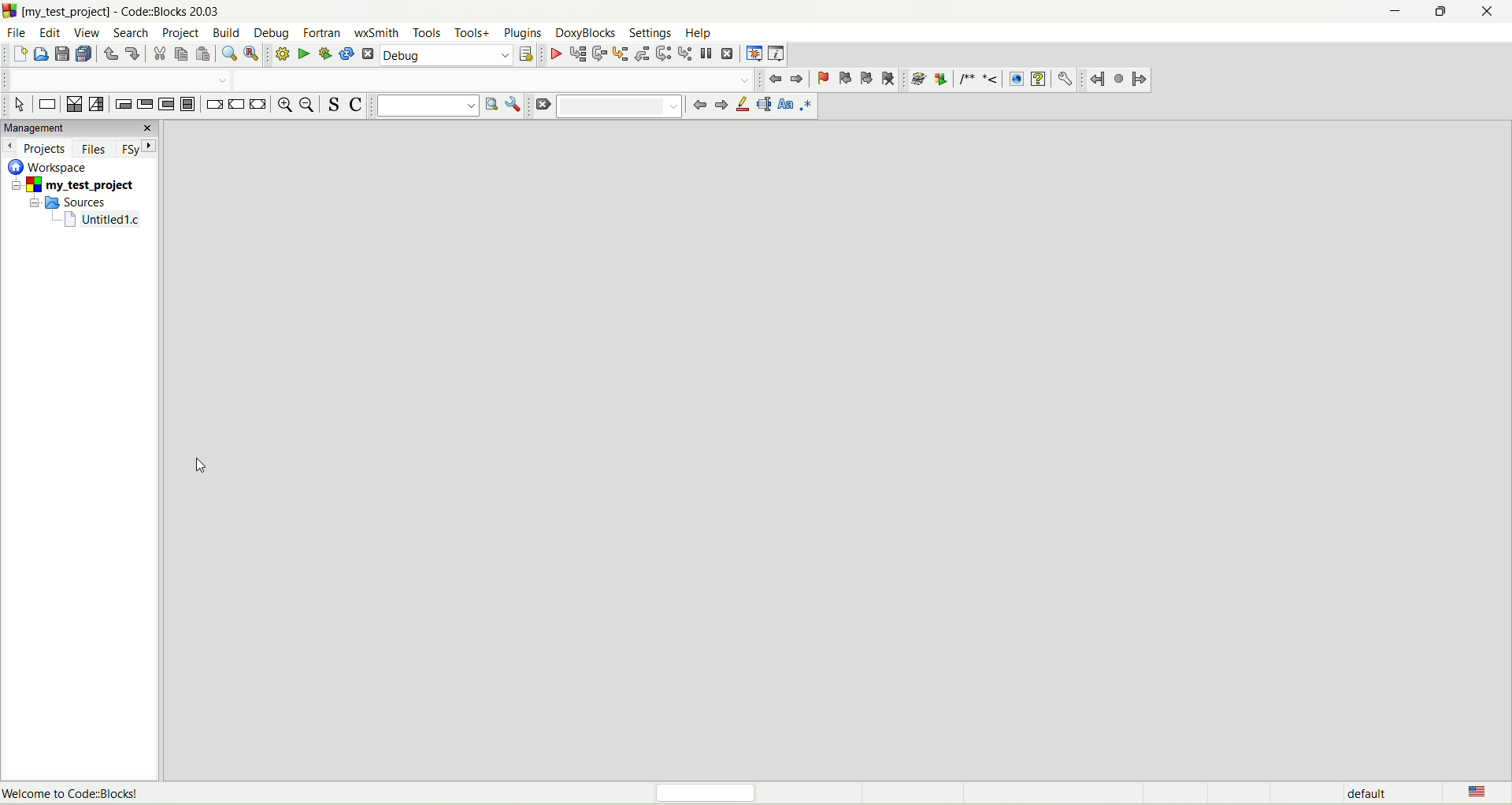 This screenshot has height=805, width=1512. What do you see at coordinates (368, 54) in the screenshot?
I see `abort` at bounding box center [368, 54].